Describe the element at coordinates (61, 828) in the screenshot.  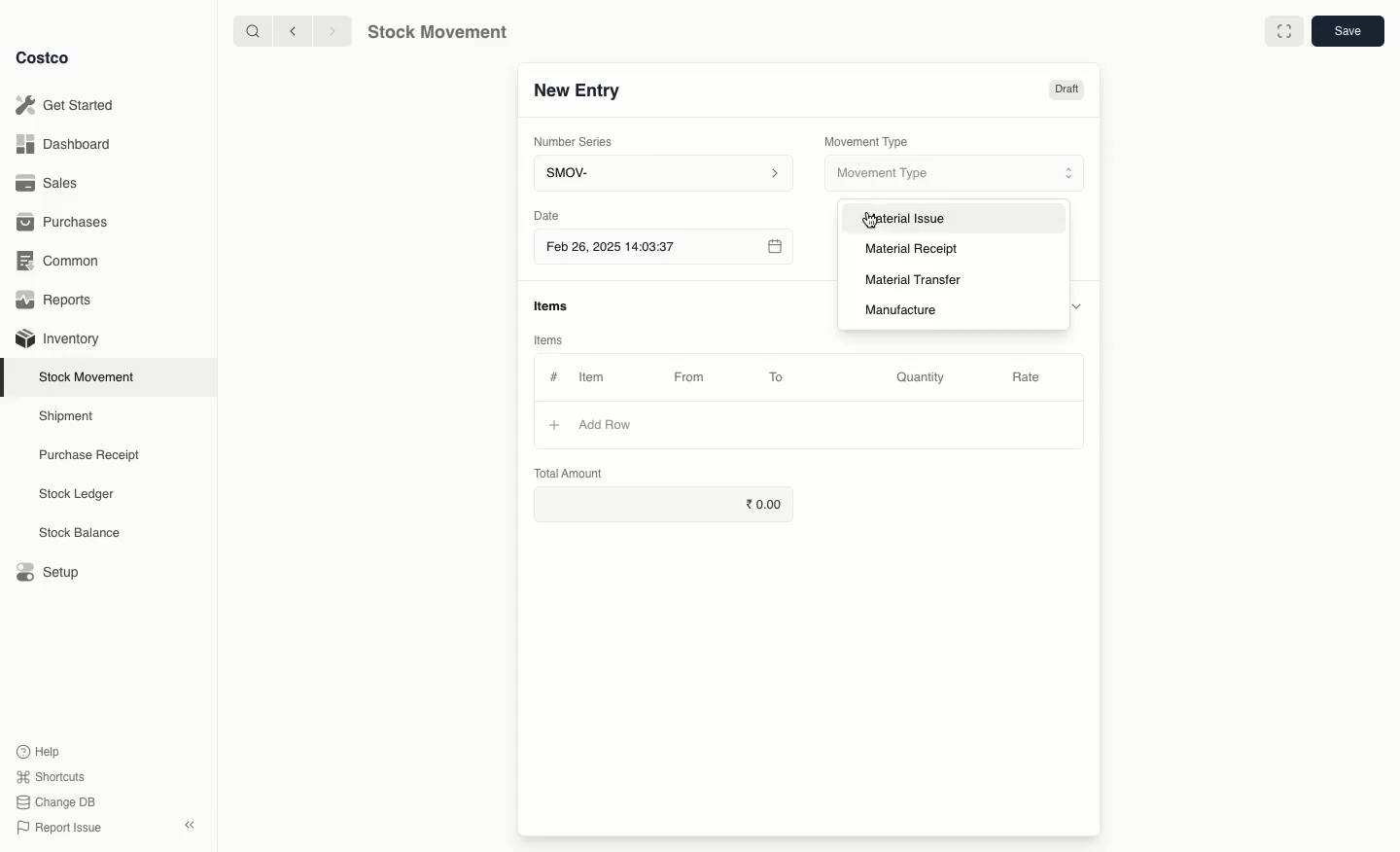
I see `Report Issue` at that location.